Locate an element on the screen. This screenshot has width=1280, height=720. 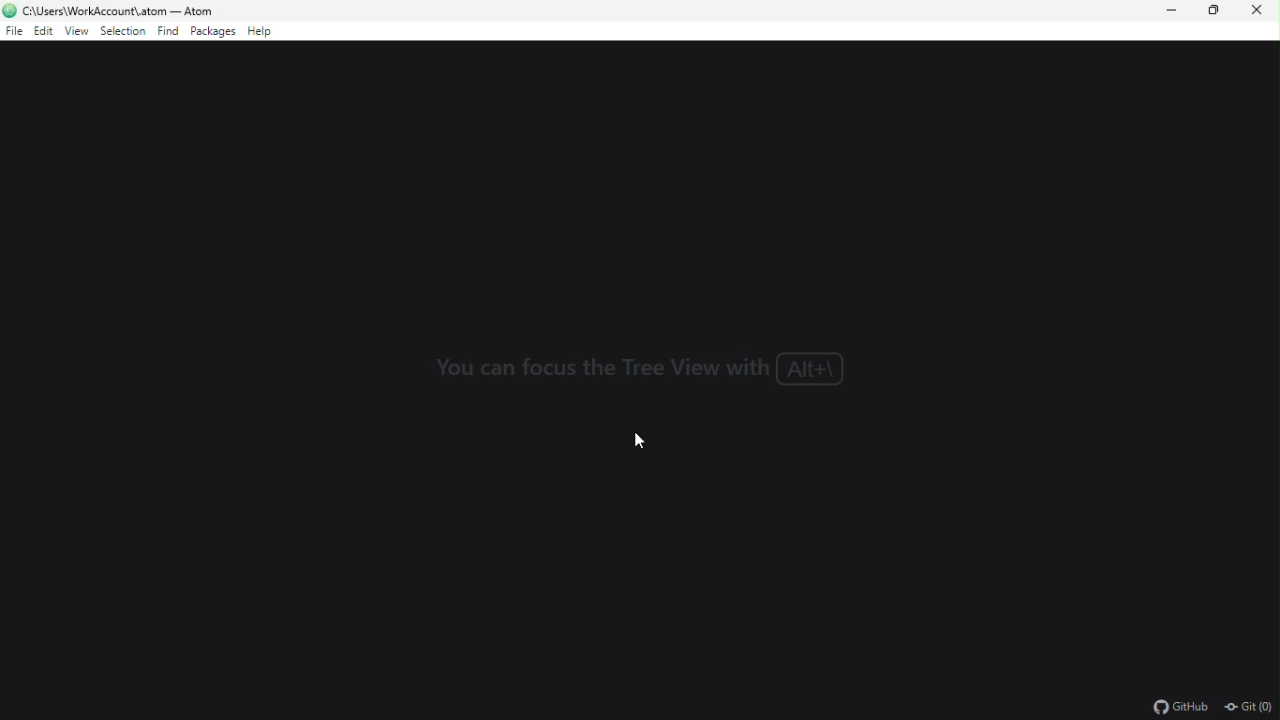
find is located at coordinates (166, 31).